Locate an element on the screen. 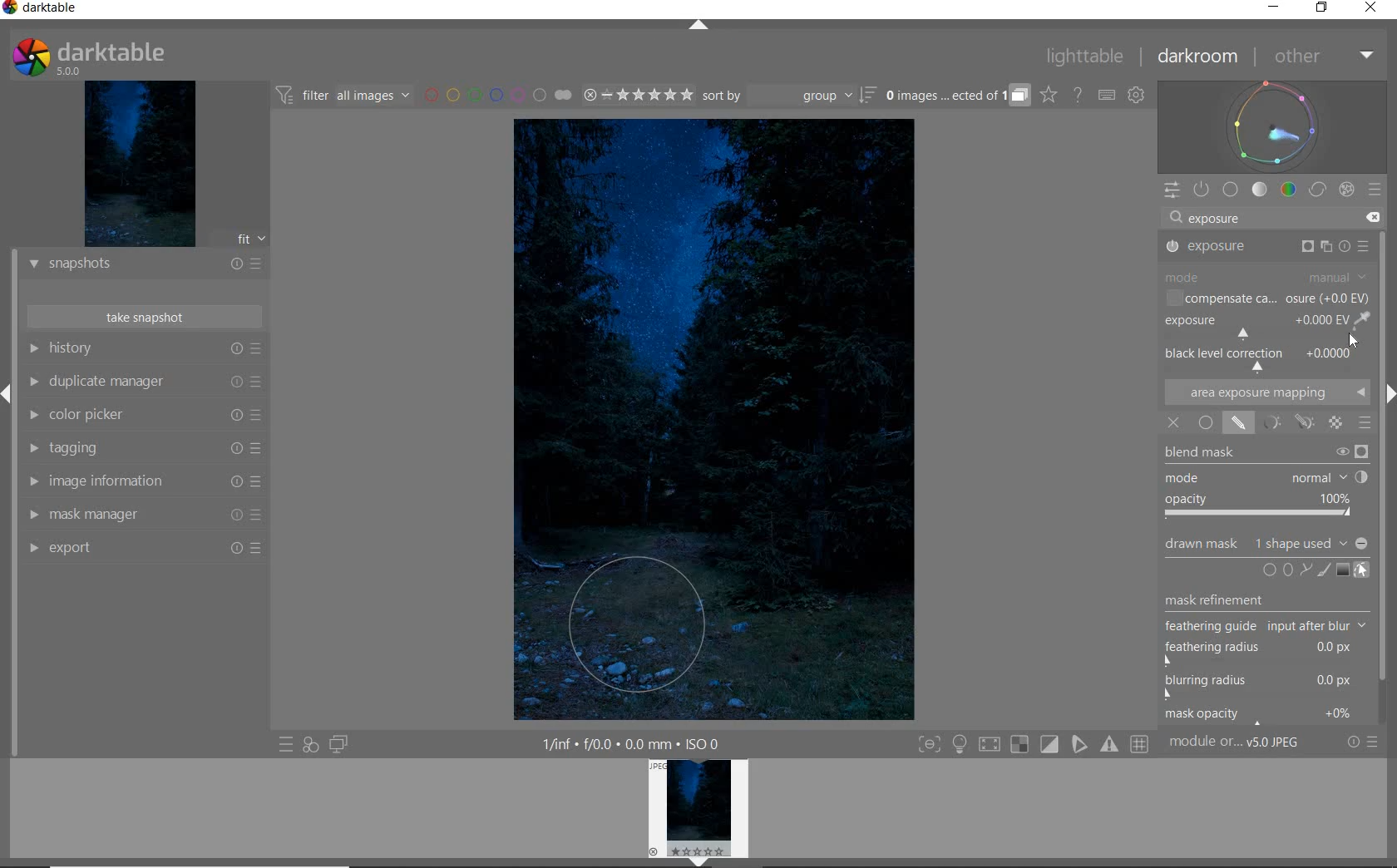  SORT is located at coordinates (789, 96).